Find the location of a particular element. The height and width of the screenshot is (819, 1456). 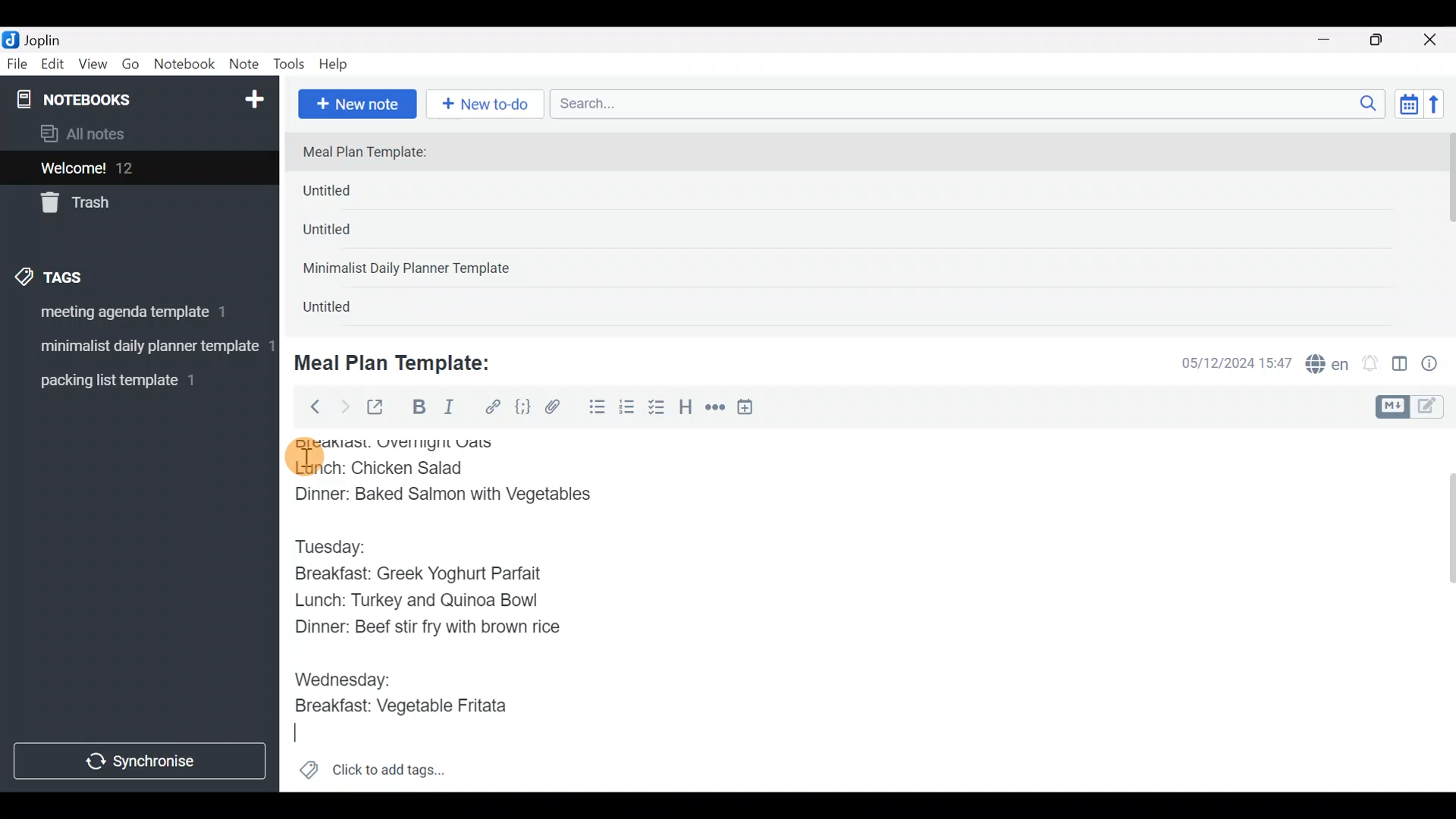

Toggle editor layout is located at coordinates (1401, 366).